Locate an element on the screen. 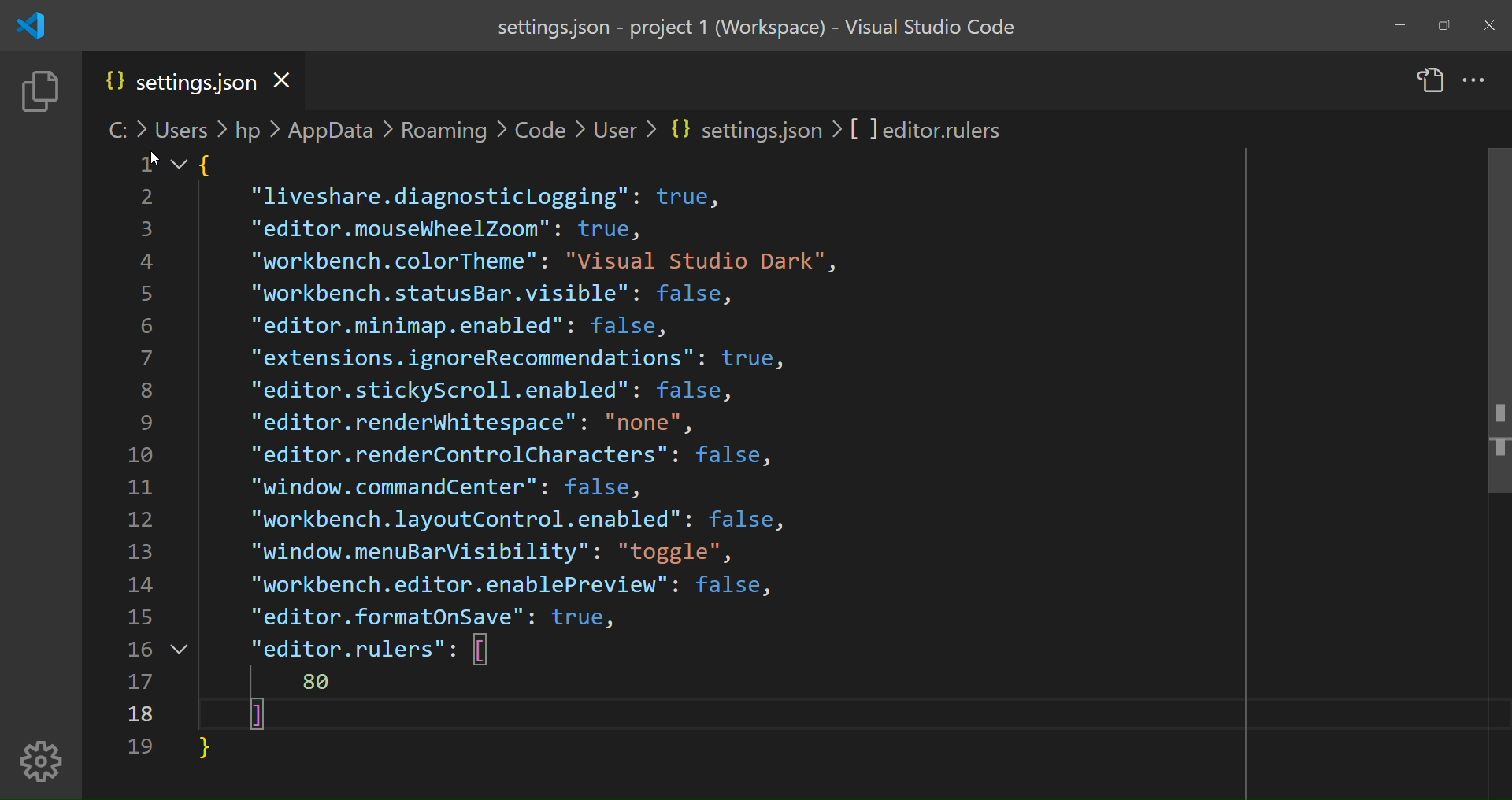 This screenshot has height=800, width=1512. more actions is located at coordinates (1475, 78).